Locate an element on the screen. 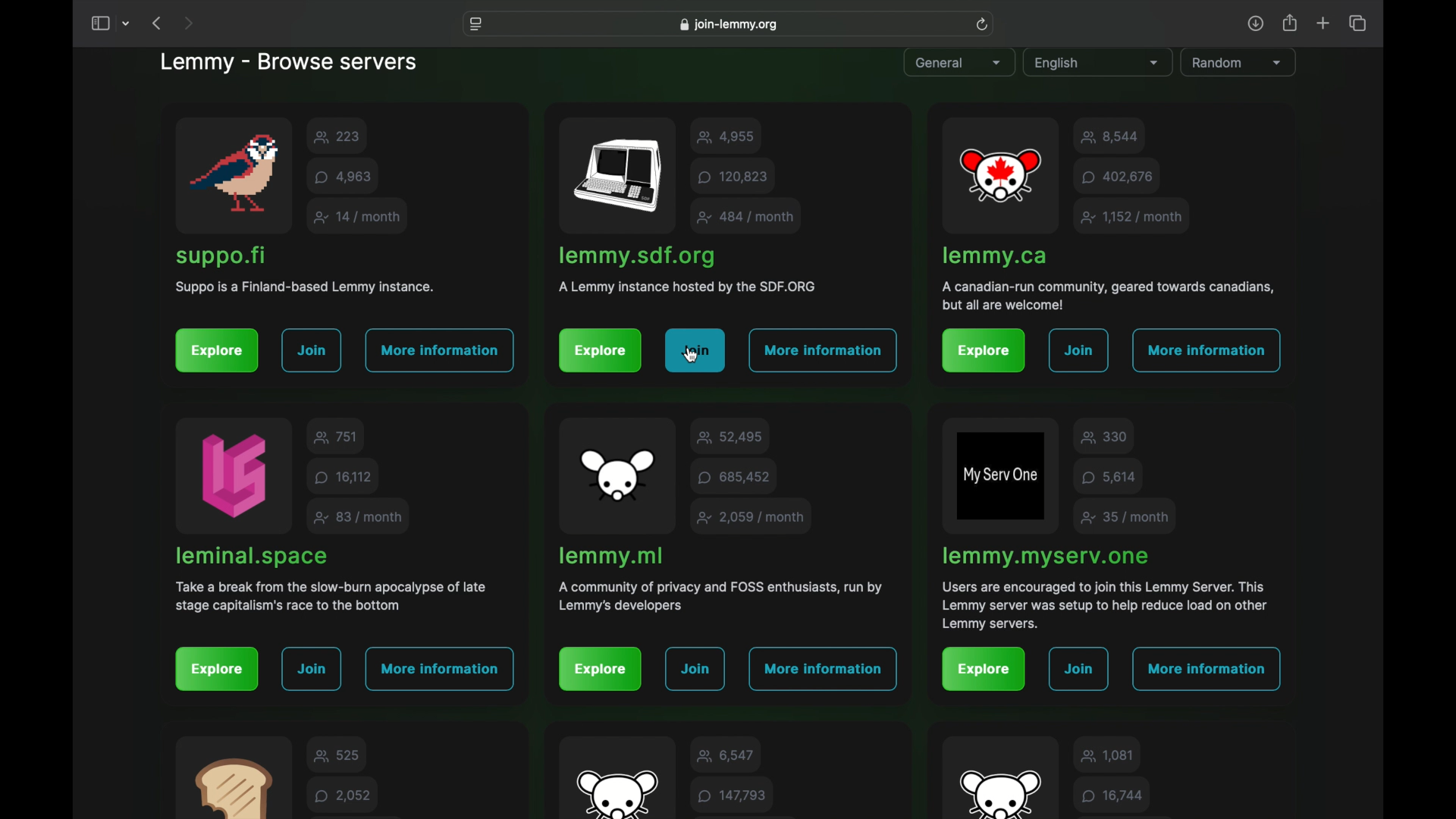 Image resolution: width=1456 pixels, height=819 pixels. share is located at coordinates (1291, 24).